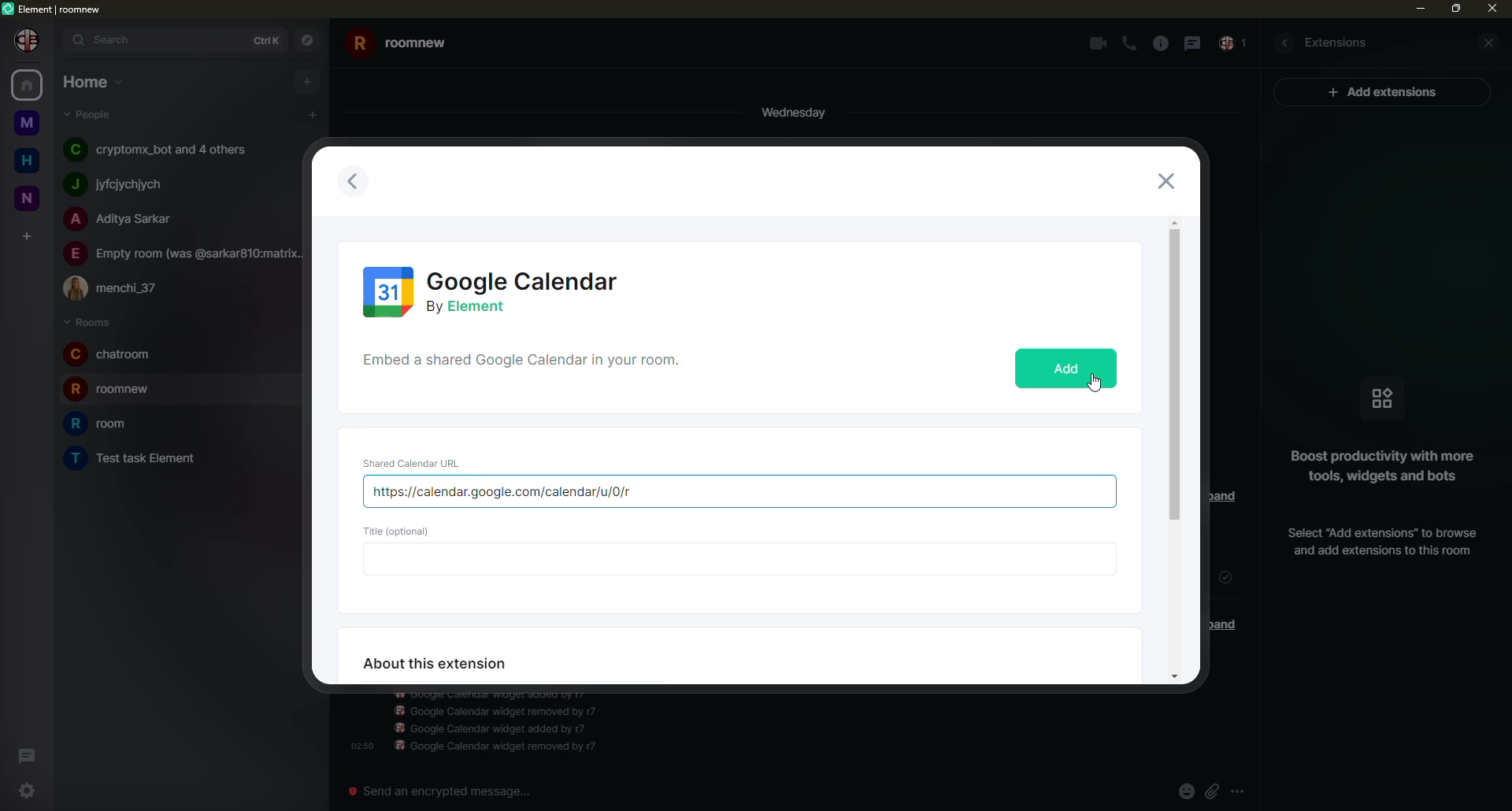  Describe the element at coordinates (125, 220) in the screenshot. I see `people` at that location.